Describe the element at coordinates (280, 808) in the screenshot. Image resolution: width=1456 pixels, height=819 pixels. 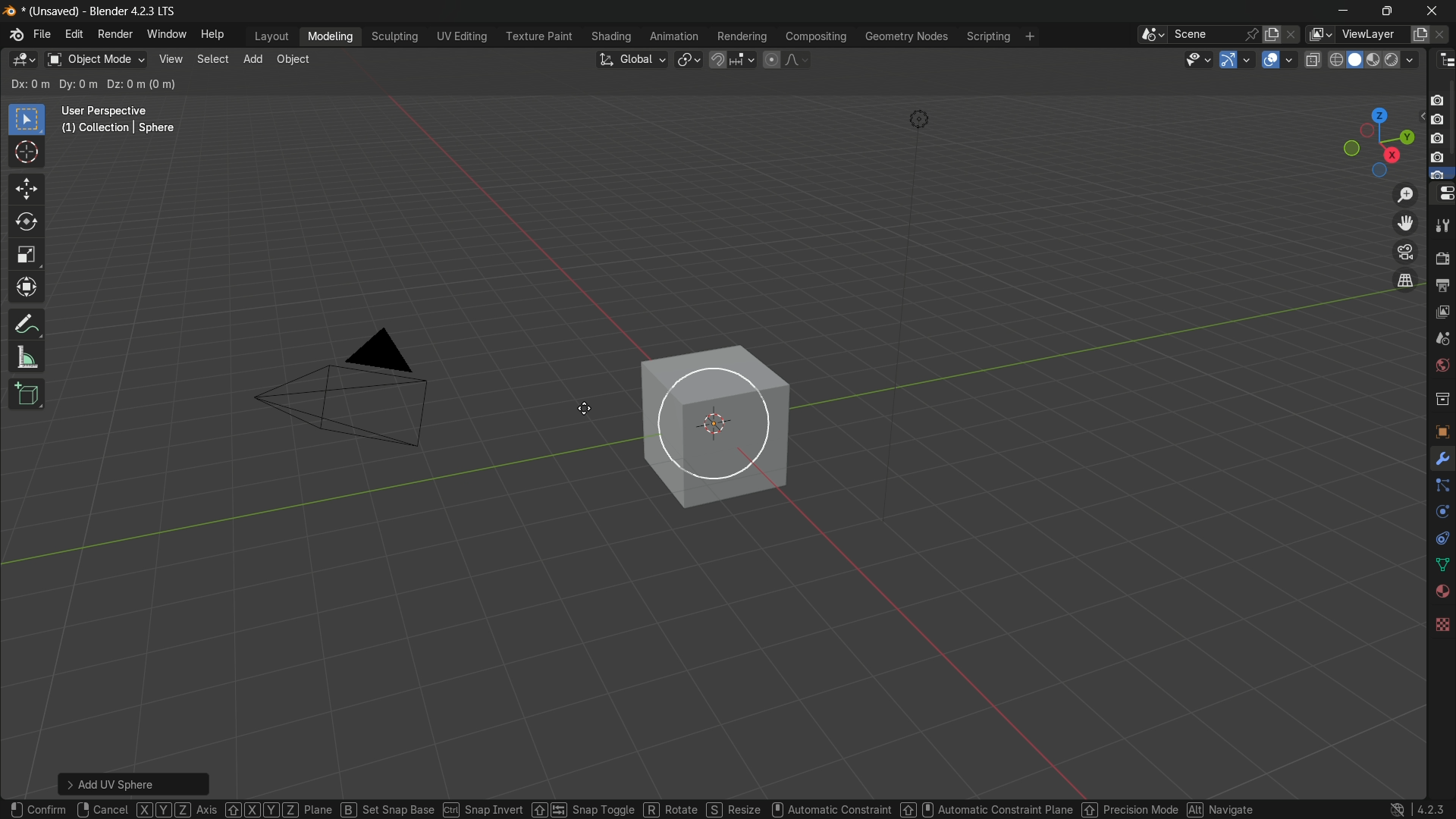
I see `Pane` at that location.